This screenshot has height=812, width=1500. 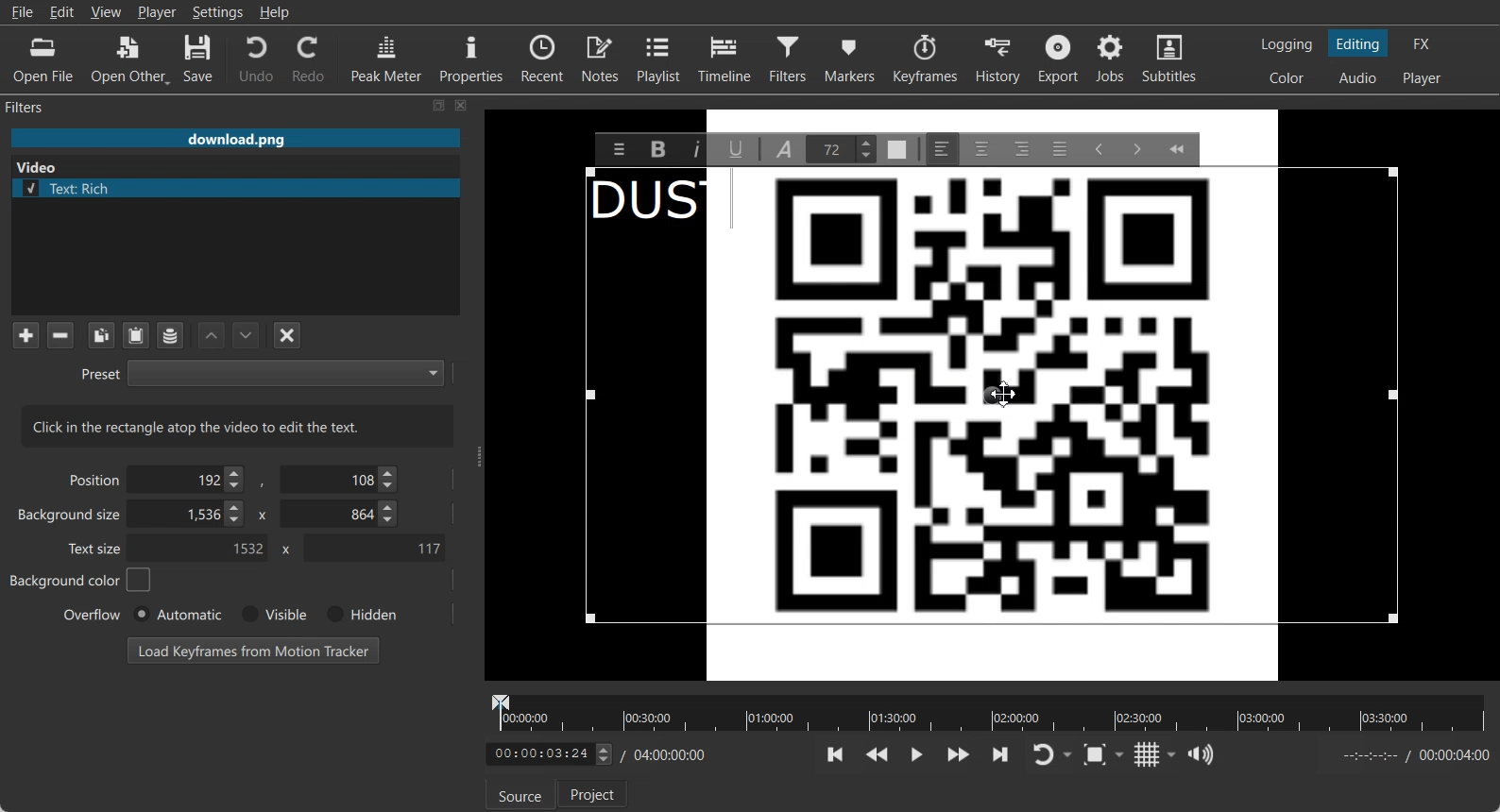 I want to click on Switching to the Audio layout, so click(x=1359, y=78).